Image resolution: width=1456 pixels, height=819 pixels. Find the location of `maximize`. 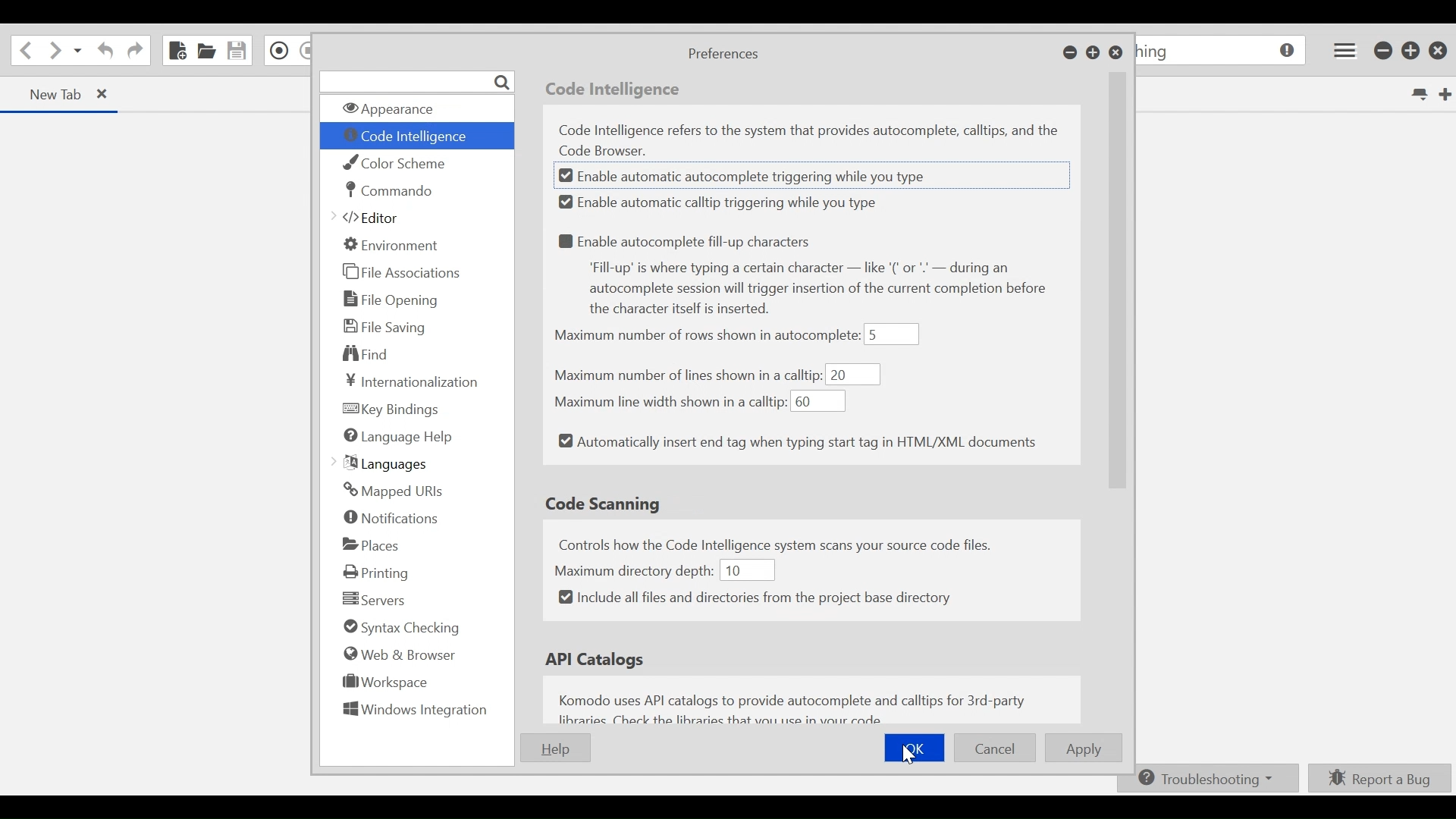

maximize is located at coordinates (1412, 52).